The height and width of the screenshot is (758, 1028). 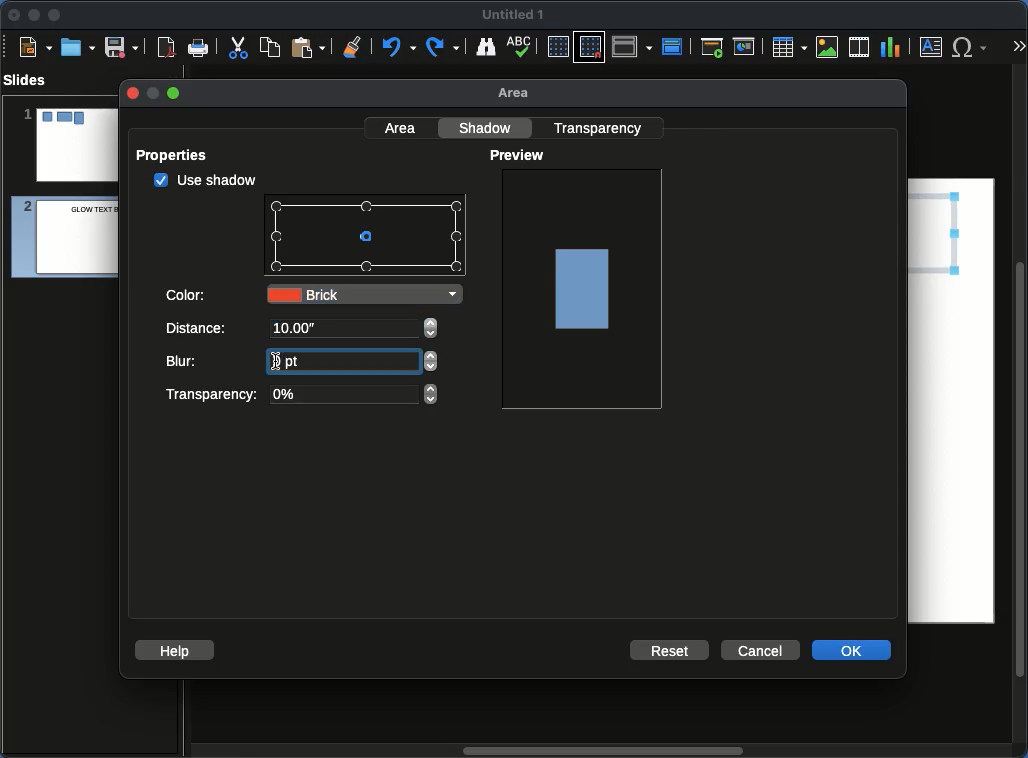 I want to click on First slide, so click(x=712, y=47).